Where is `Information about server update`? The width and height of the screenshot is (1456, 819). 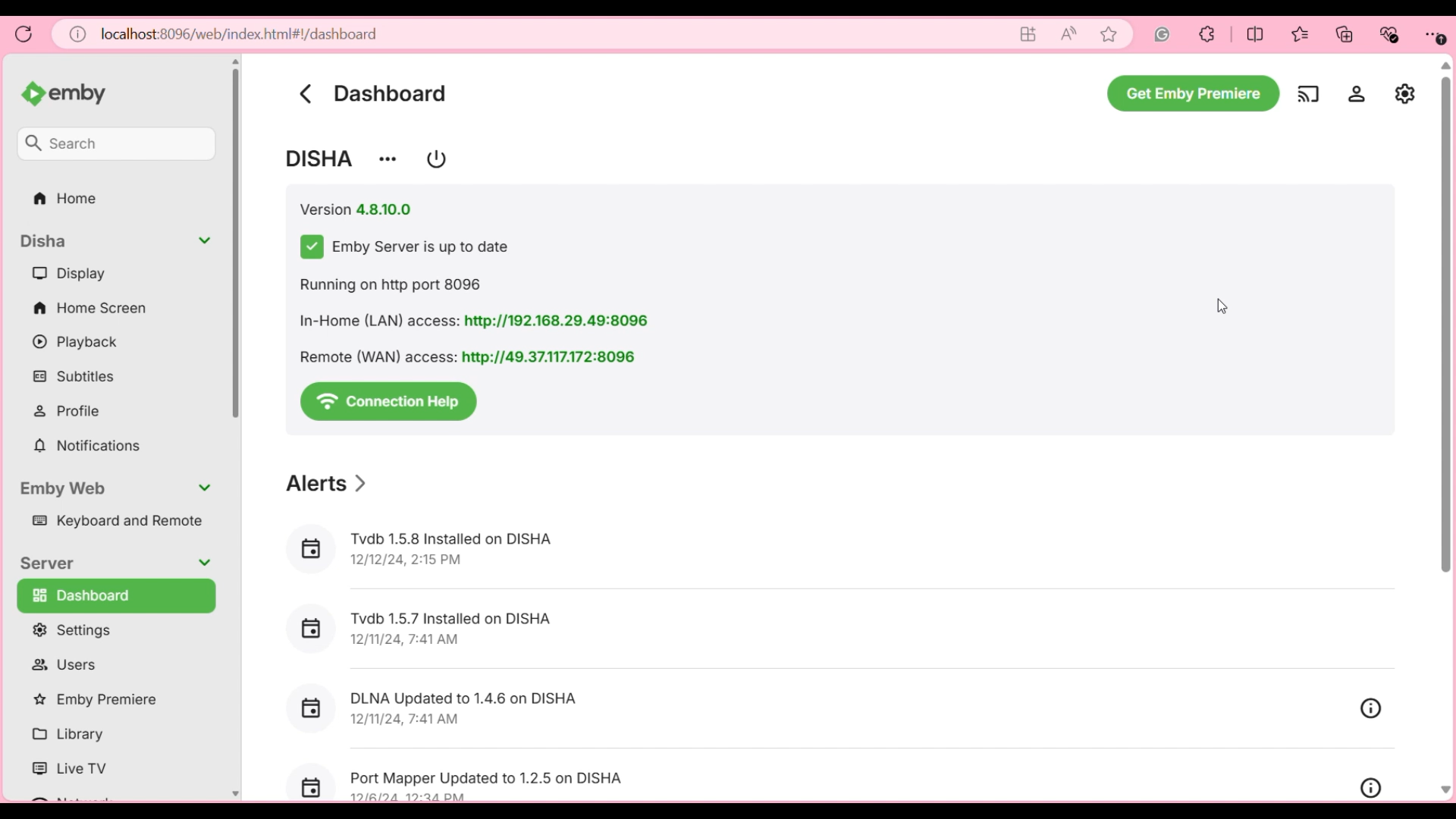 Information about server update is located at coordinates (404, 247).